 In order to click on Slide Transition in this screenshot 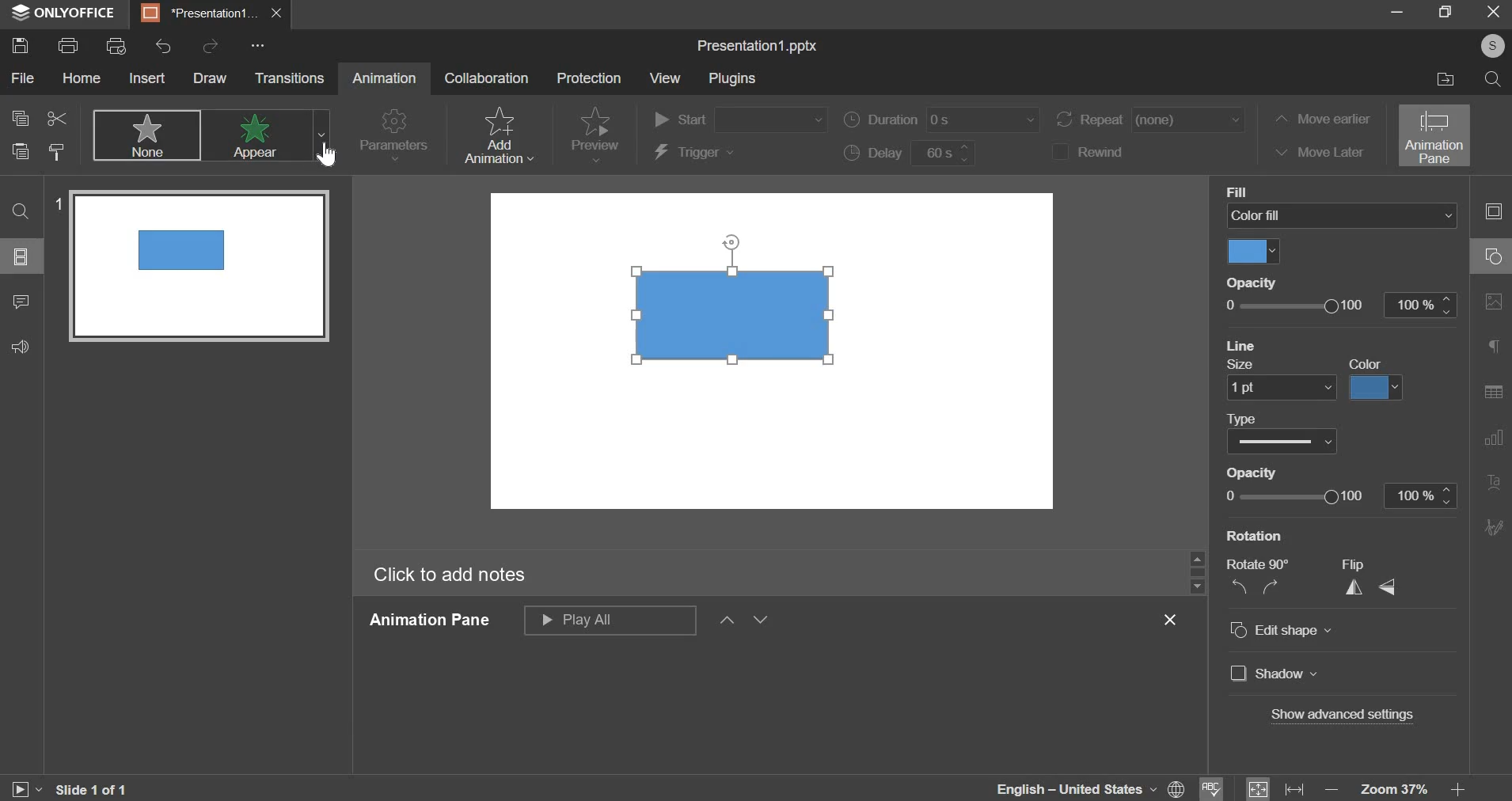, I will do `click(1493, 435)`.